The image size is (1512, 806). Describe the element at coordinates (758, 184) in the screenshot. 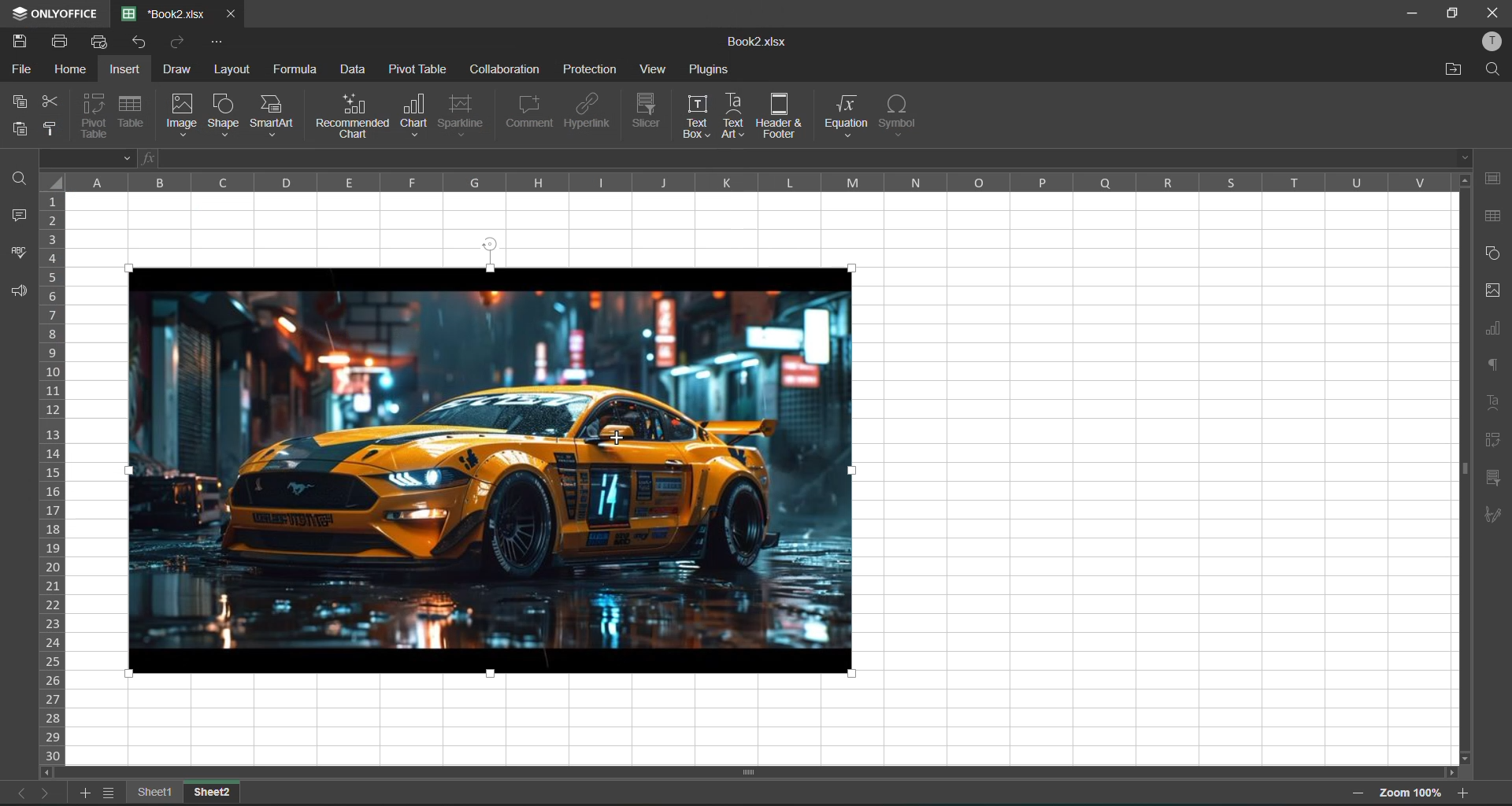

I see `column names` at that location.